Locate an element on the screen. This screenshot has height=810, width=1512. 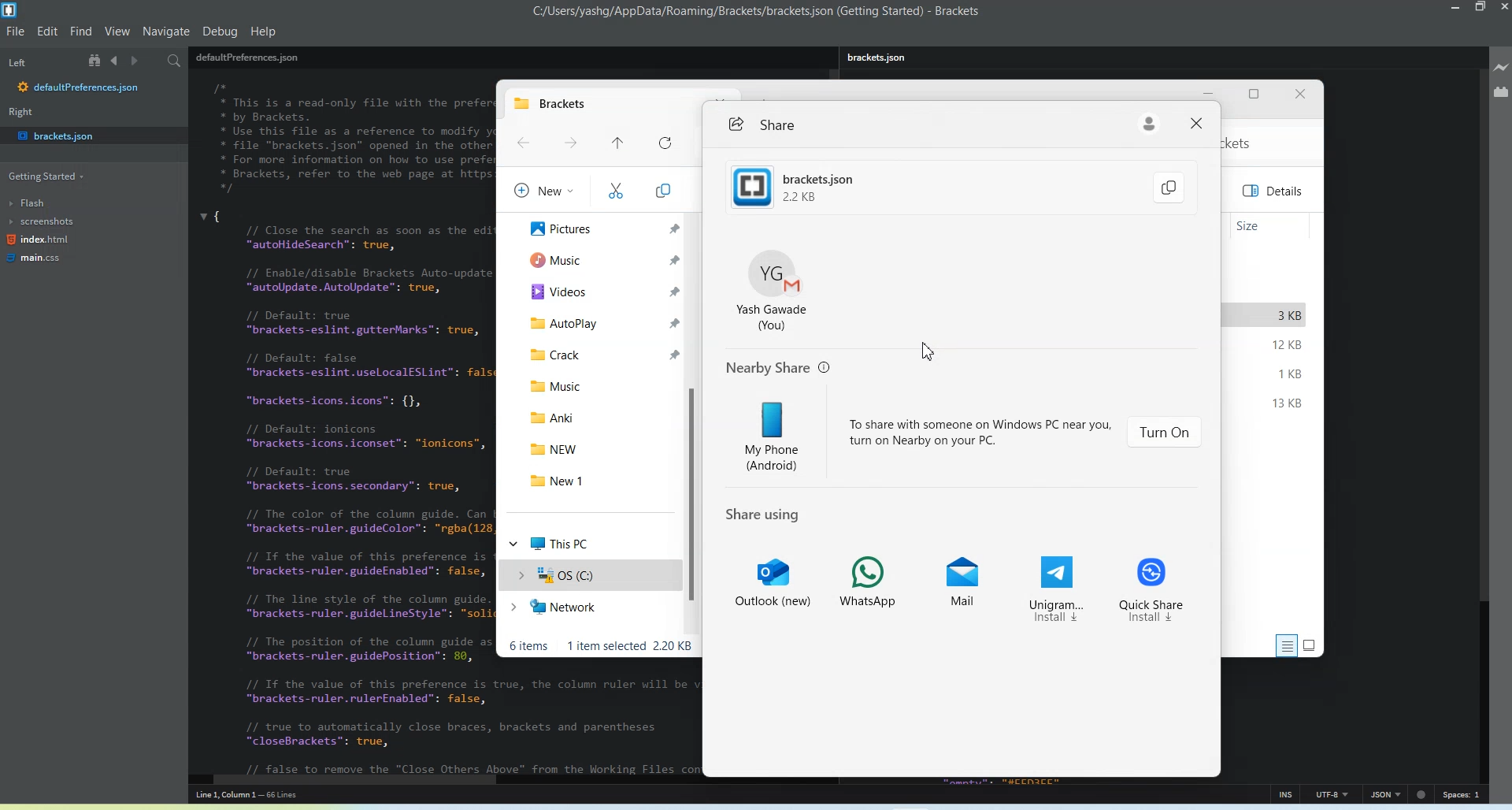
Account is located at coordinates (1150, 123).